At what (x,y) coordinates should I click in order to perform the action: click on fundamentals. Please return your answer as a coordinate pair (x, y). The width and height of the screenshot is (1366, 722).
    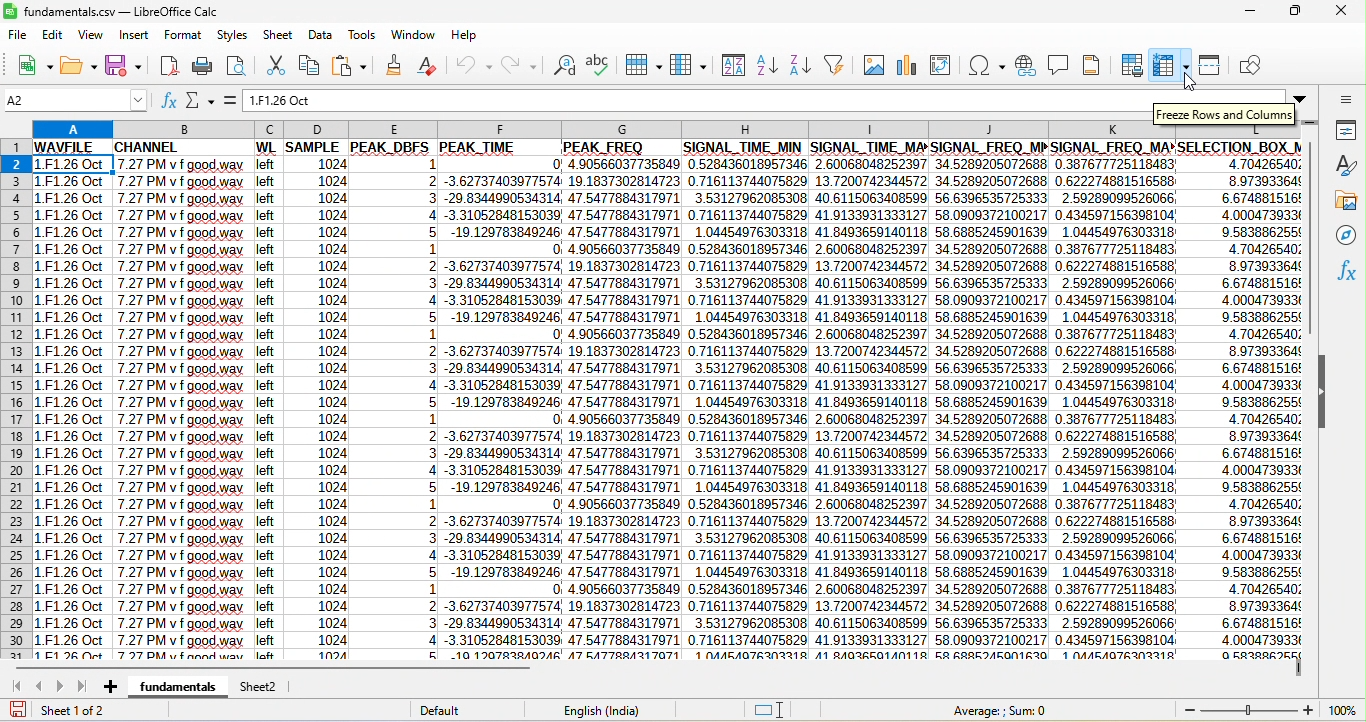
    Looking at the image, I should click on (181, 687).